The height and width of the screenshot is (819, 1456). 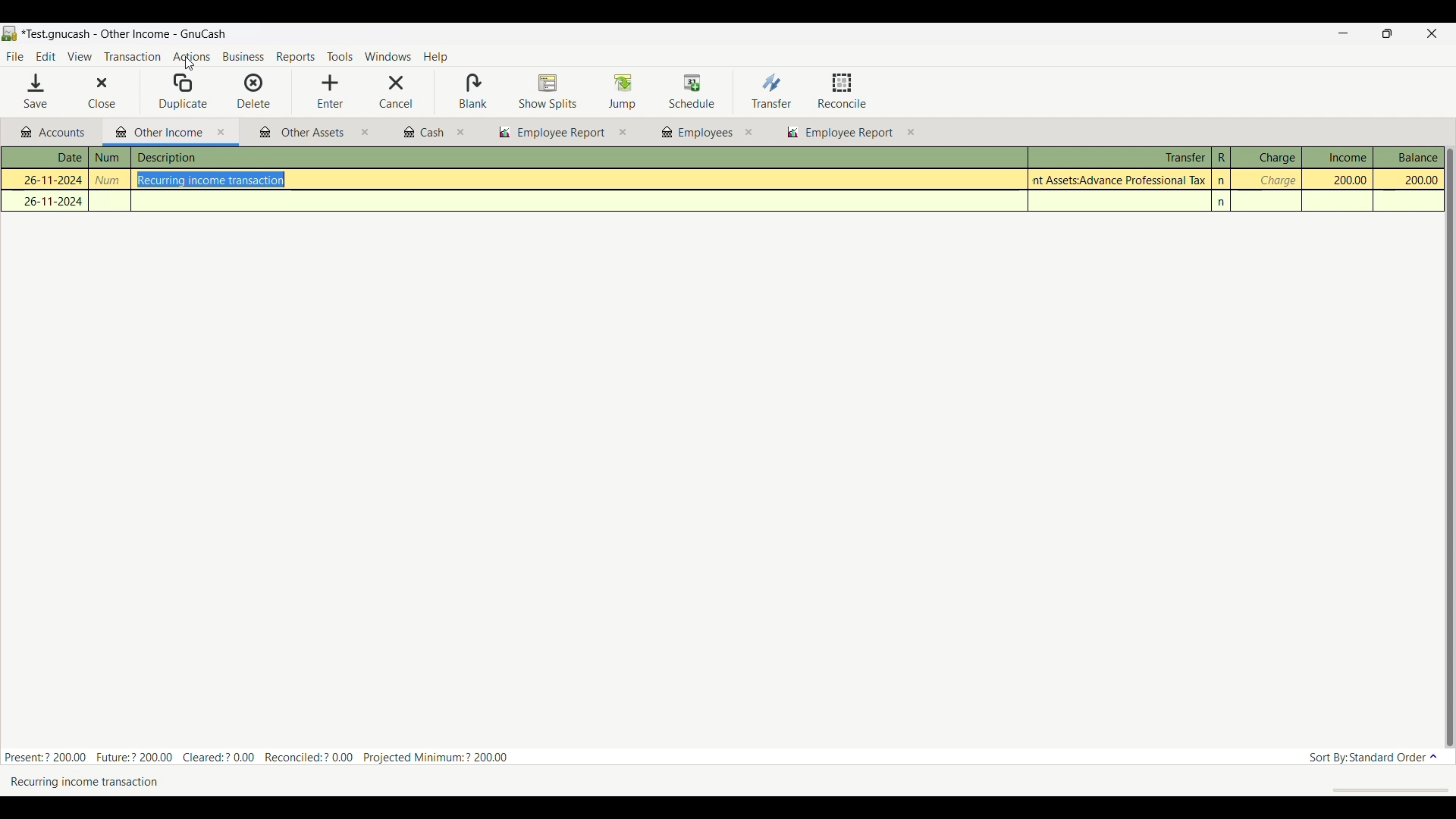 I want to click on Schedule highlighted after selection by cursor, so click(x=692, y=93).